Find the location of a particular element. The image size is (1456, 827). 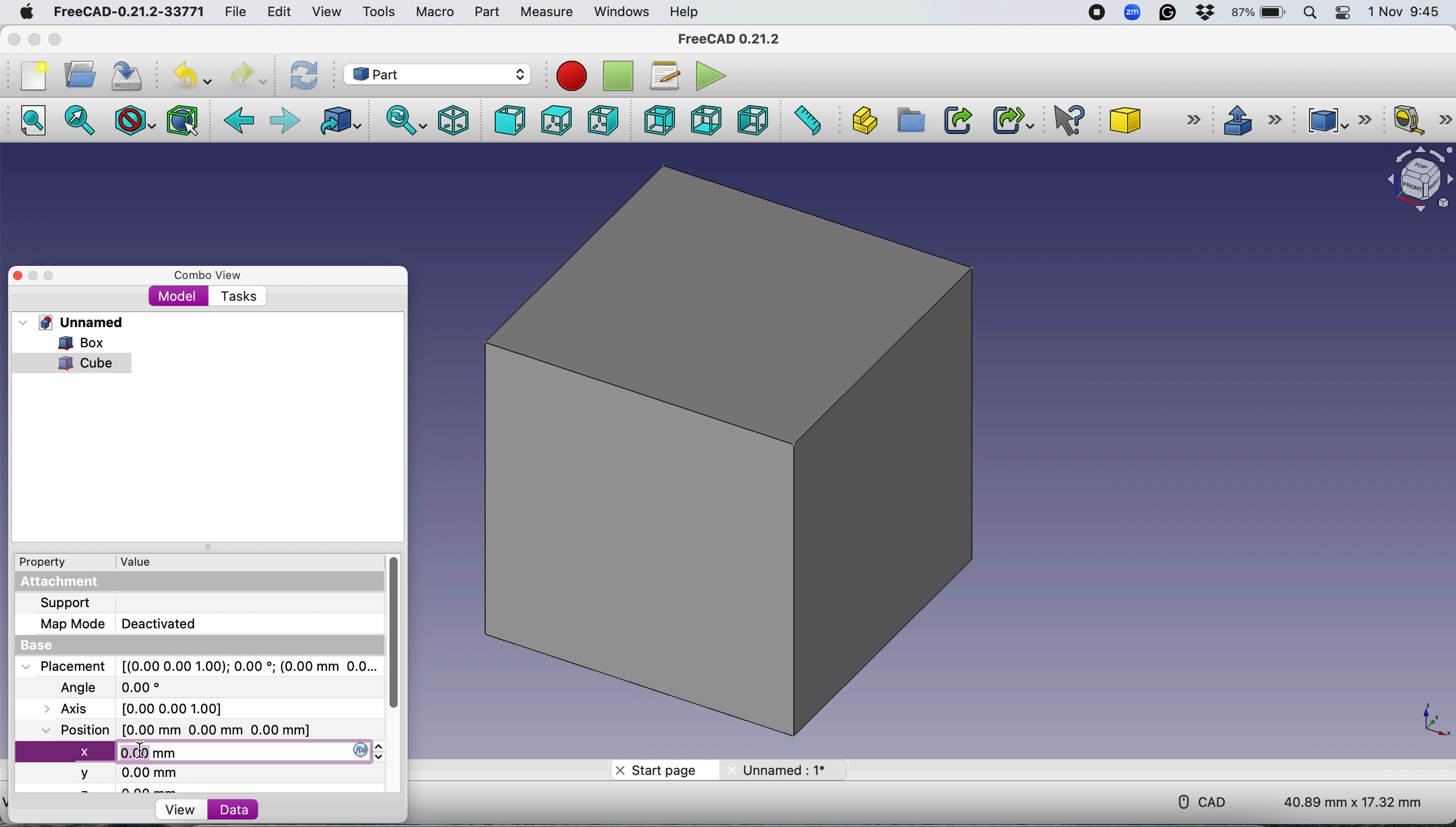

1 Nov 9:45 is located at coordinates (1406, 12).